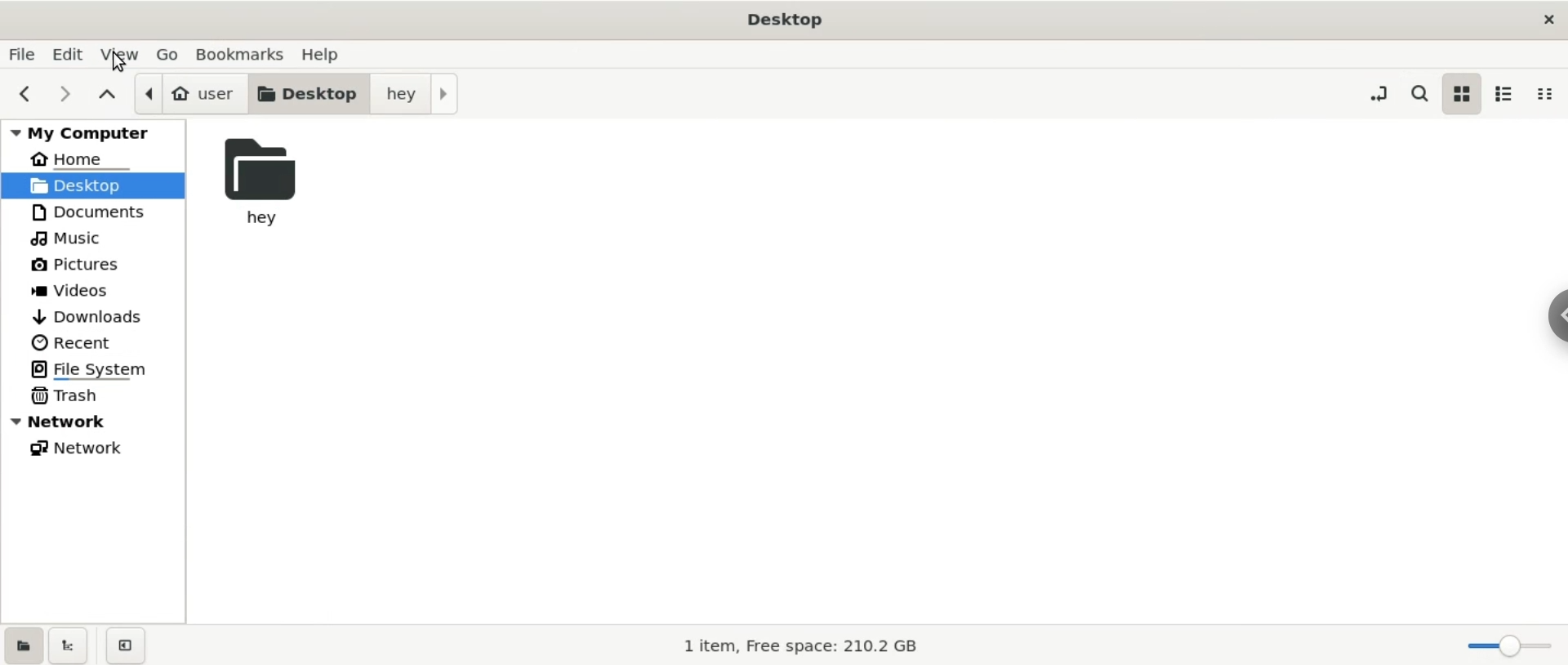 The width and height of the screenshot is (1568, 665). I want to click on file system, so click(100, 368).